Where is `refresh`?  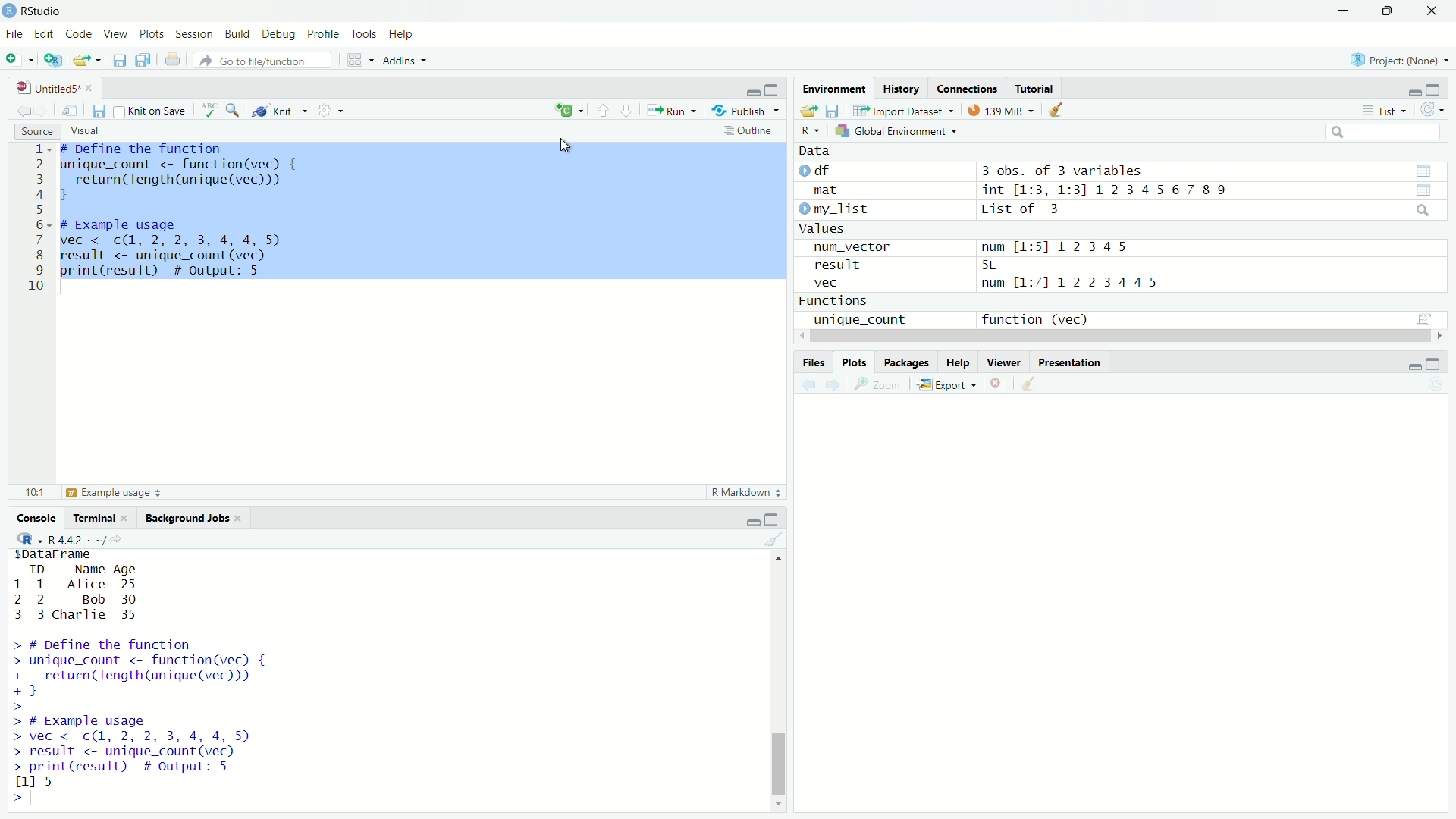 refresh is located at coordinates (1432, 111).